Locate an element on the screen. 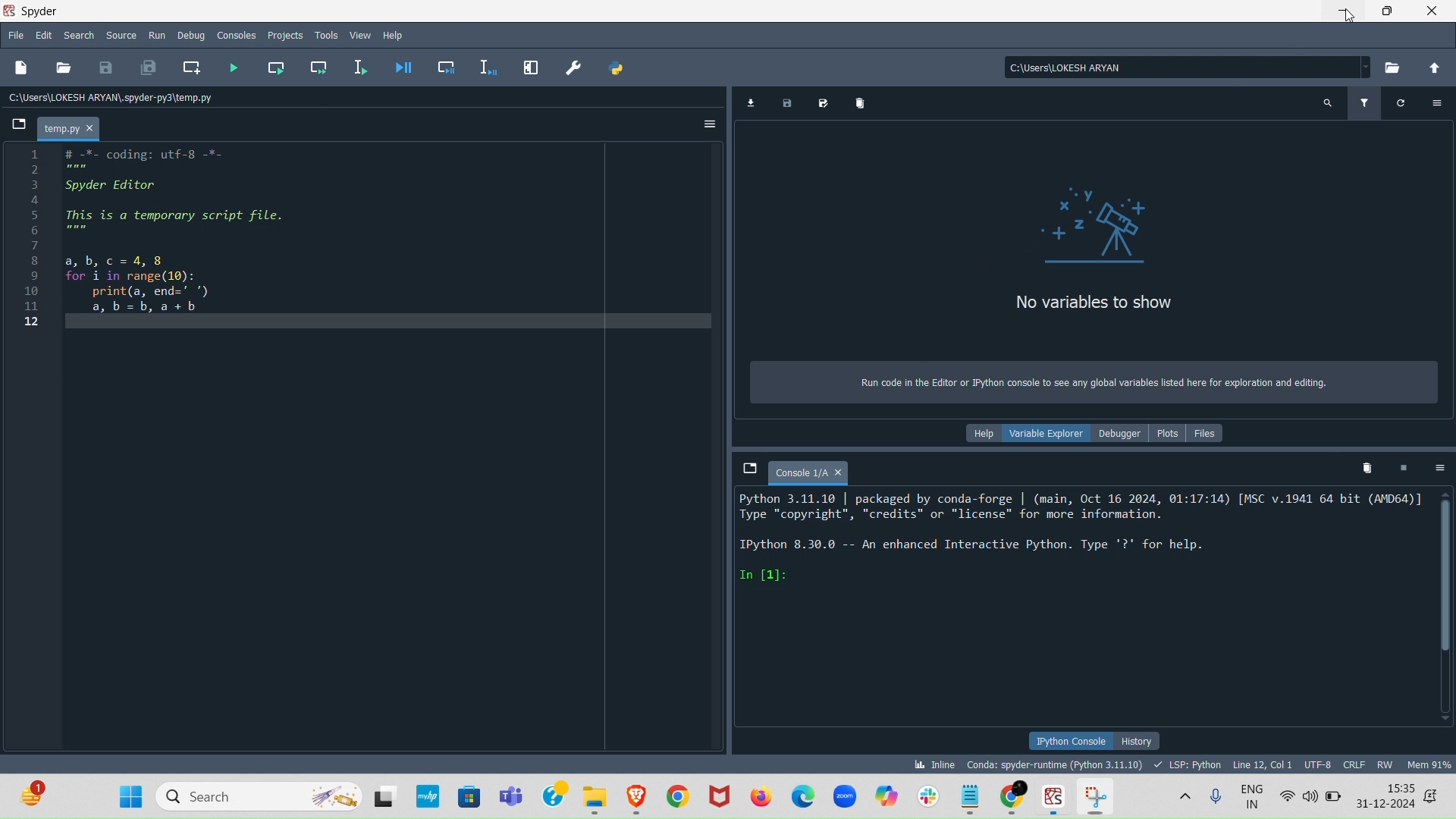 This screenshot has height=819, width=1456. Interrupt kernel is located at coordinates (1406, 466).